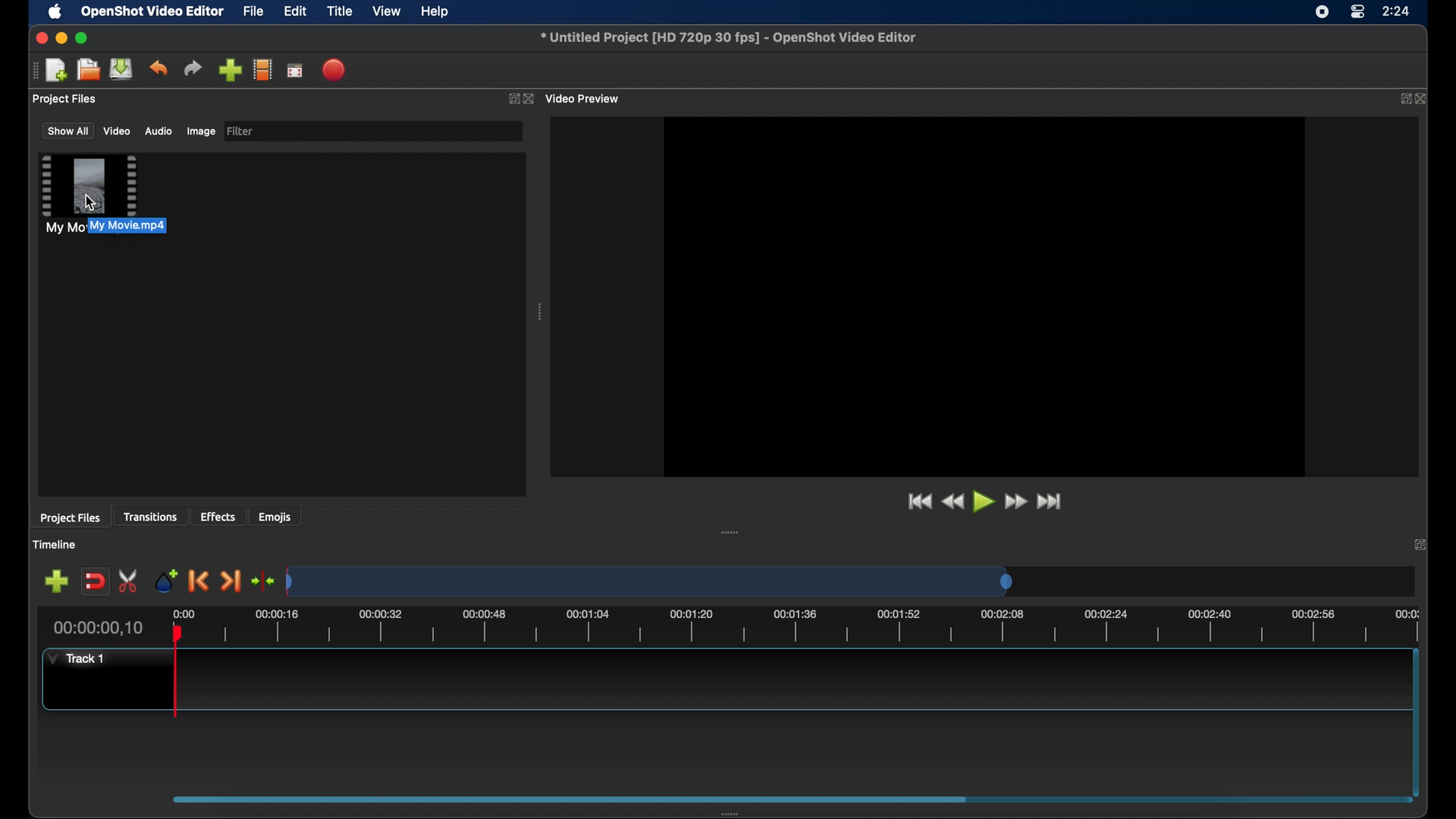  What do you see at coordinates (74, 660) in the screenshot?
I see `track 1` at bounding box center [74, 660].